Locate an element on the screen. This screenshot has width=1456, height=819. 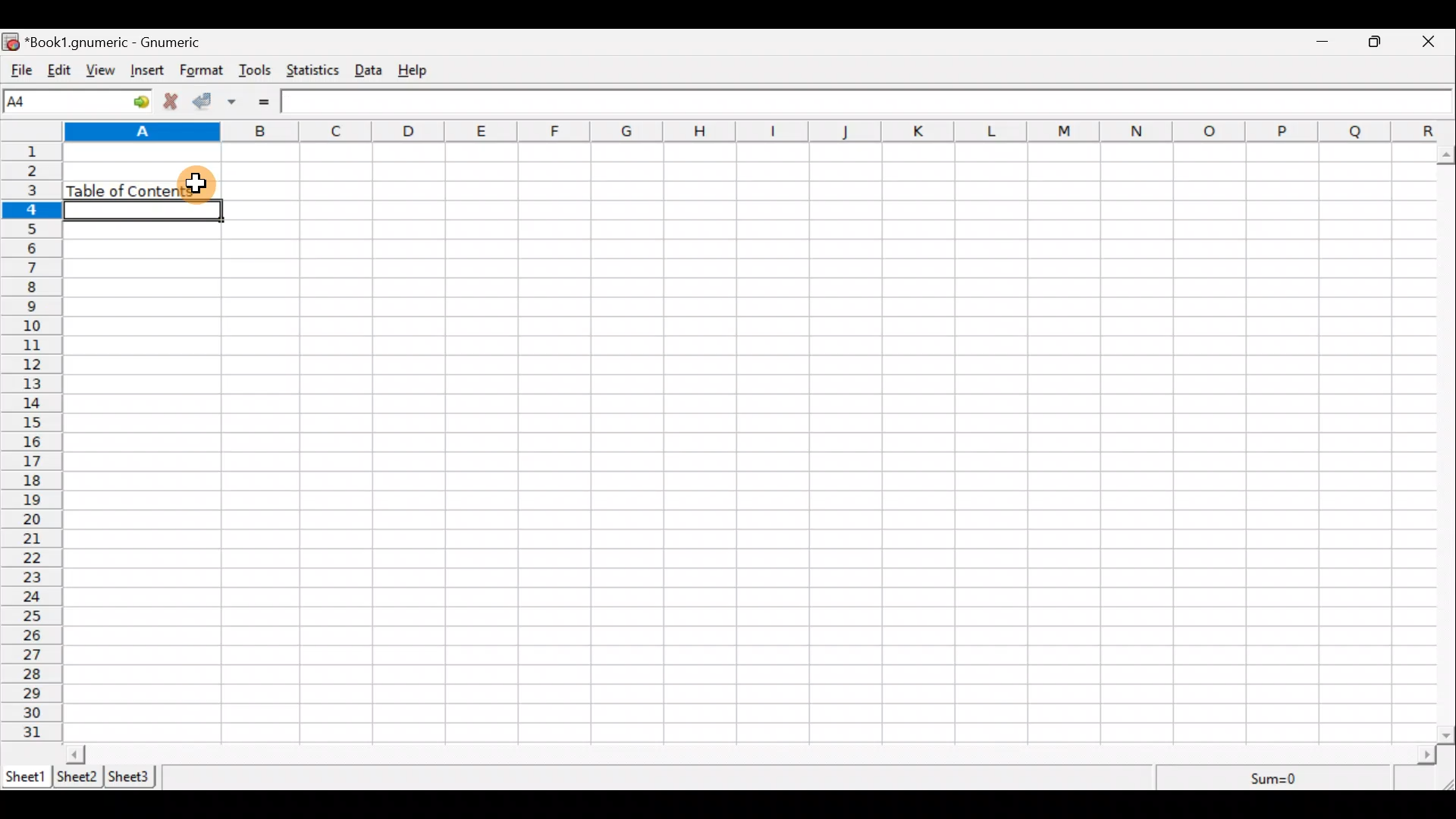
View is located at coordinates (100, 71).